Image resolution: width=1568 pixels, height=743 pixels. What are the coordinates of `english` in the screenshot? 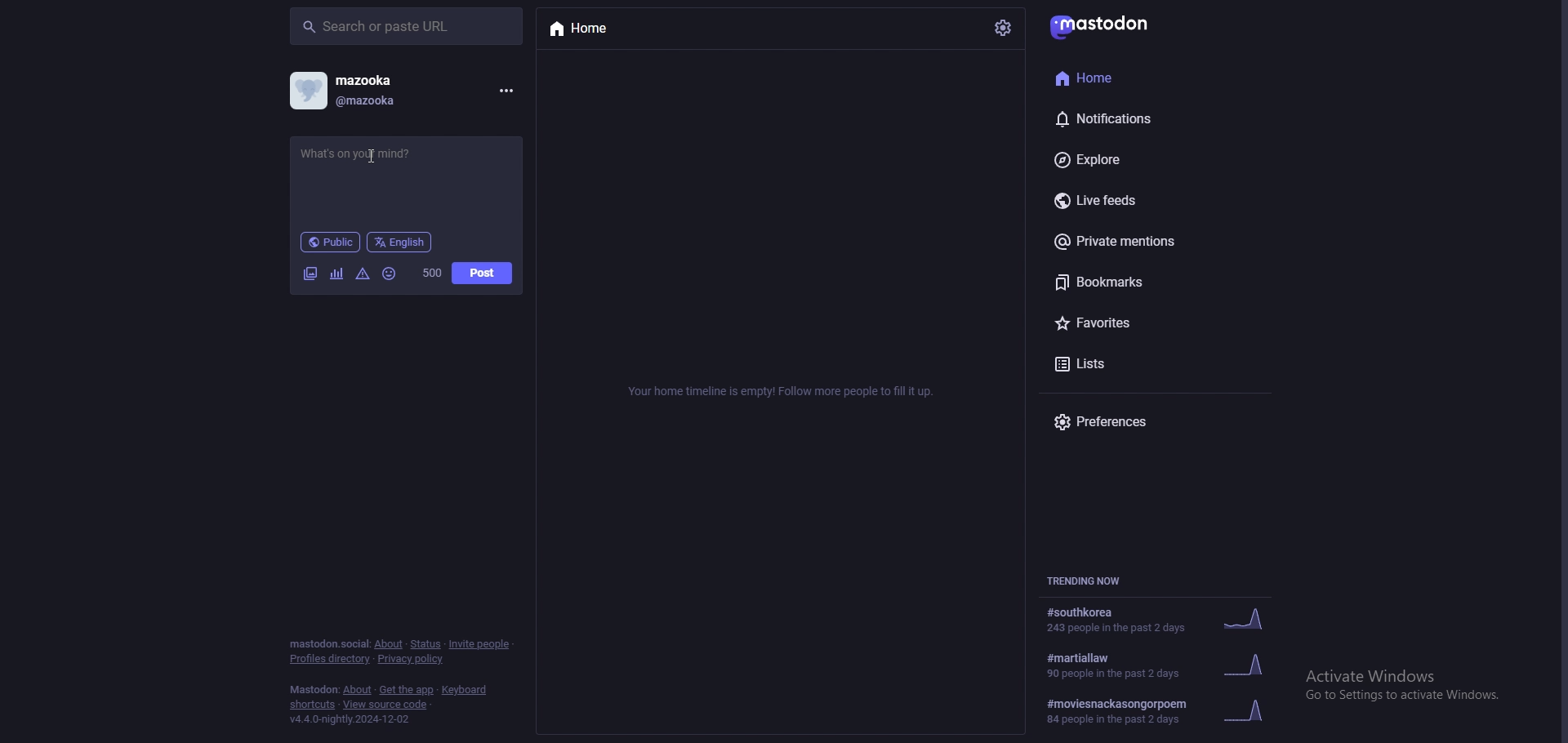 It's located at (400, 242).